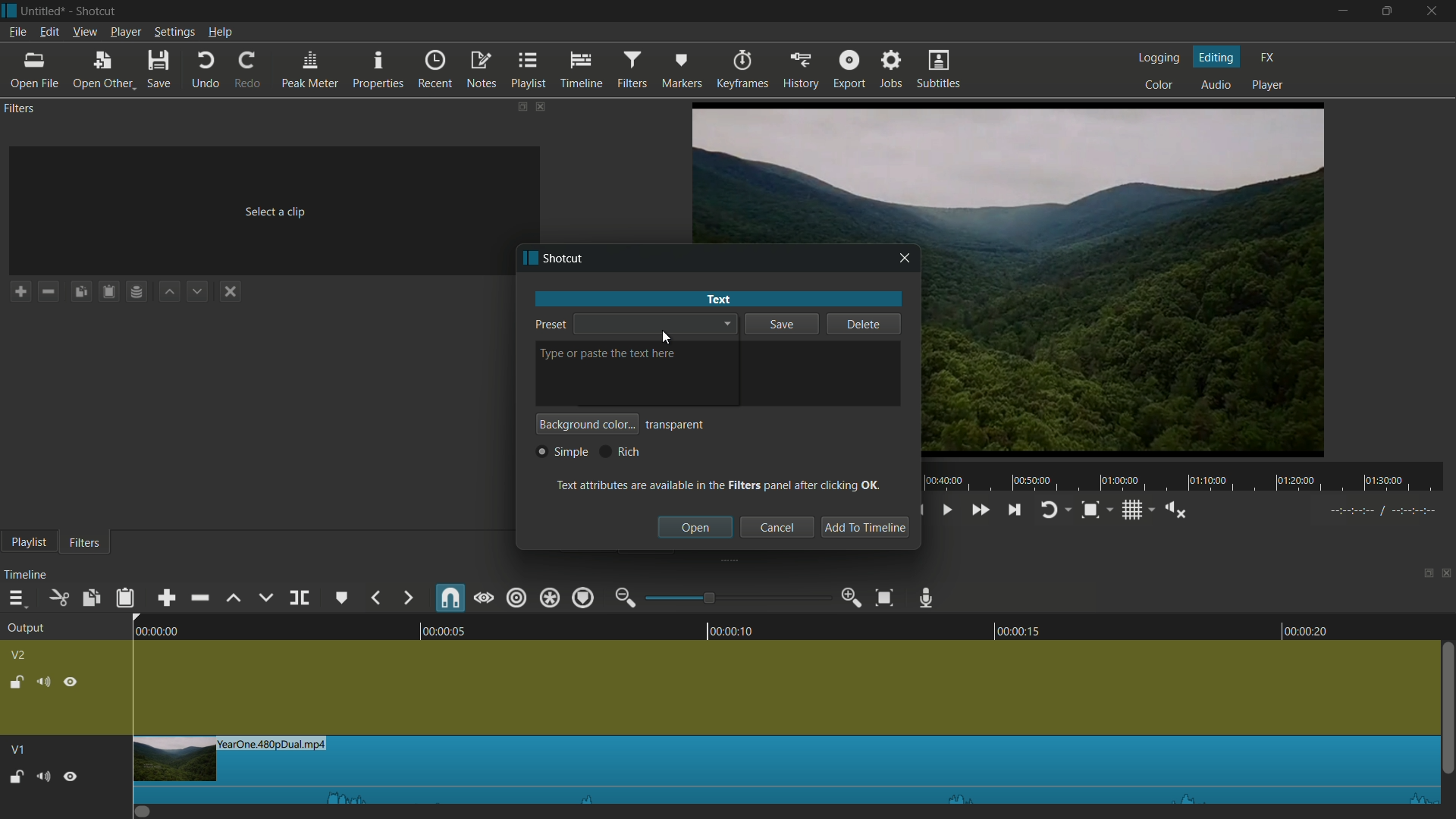 The width and height of the screenshot is (1456, 819). I want to click on playlist, so click(531, 71).